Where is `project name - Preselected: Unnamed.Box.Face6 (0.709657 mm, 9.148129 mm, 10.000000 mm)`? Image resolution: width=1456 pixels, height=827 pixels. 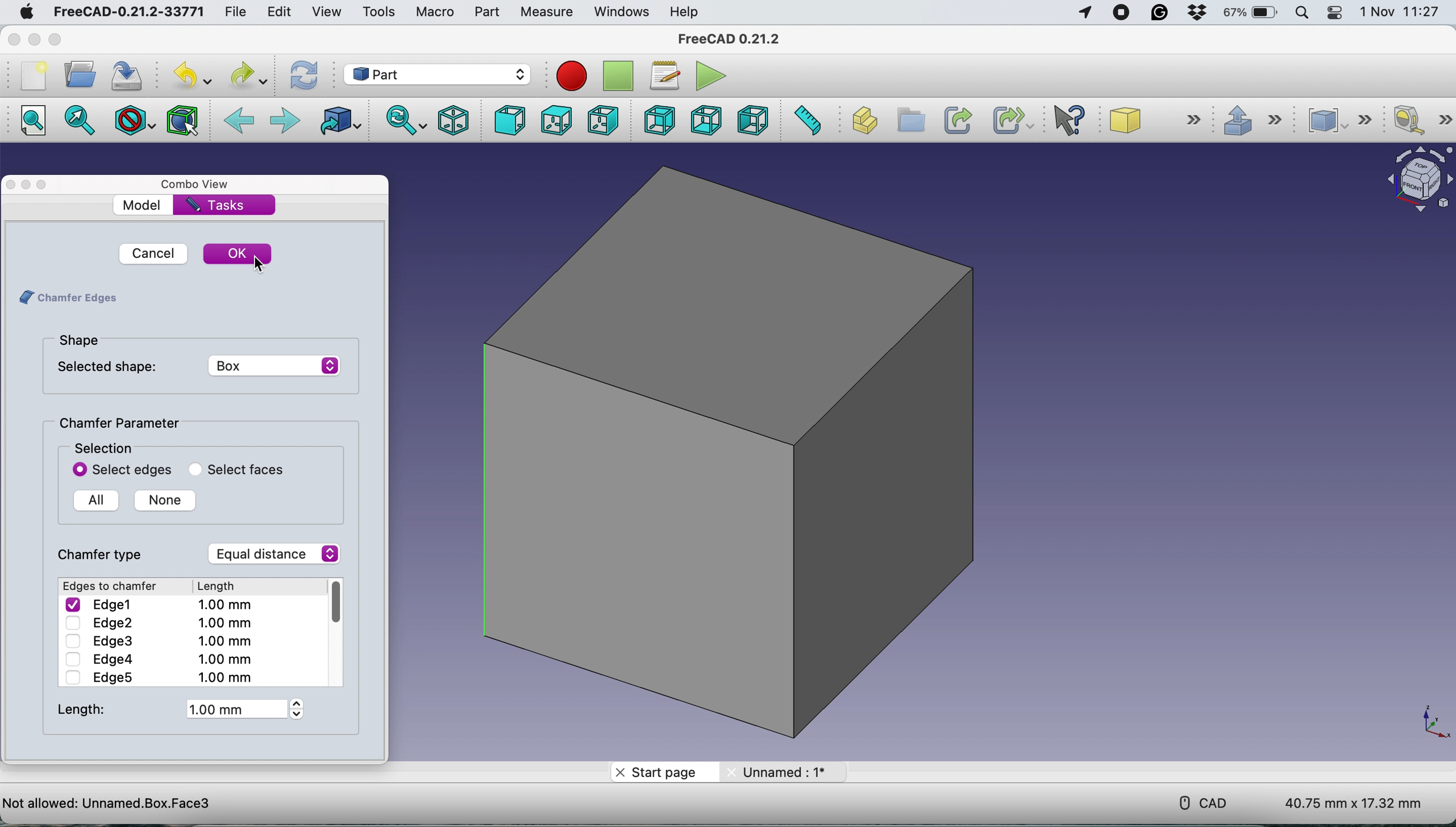 project name - Preselected: Unnamed.Box.Face6 (0.709657 mm, 9.148129 mm, 10.000000 mm) is located at coordinates (251, 804).